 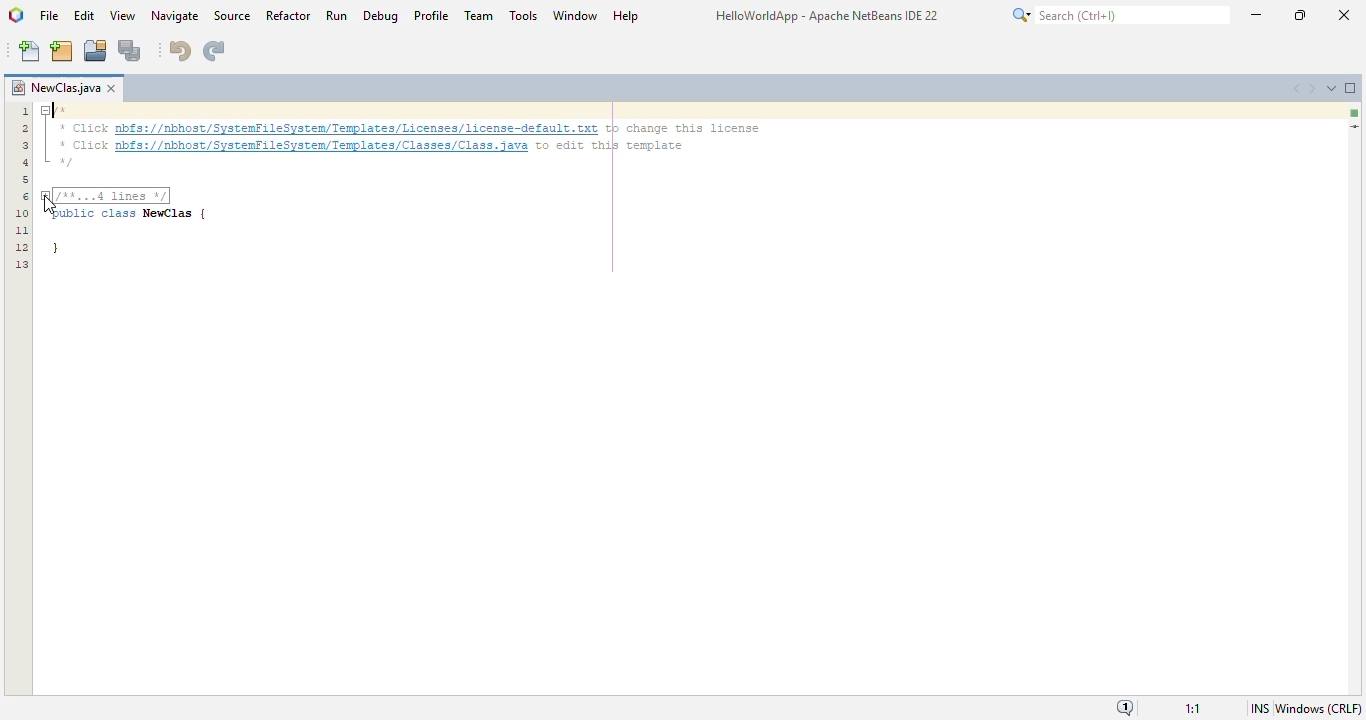 I want to click on help, so click(x=627, y=15).